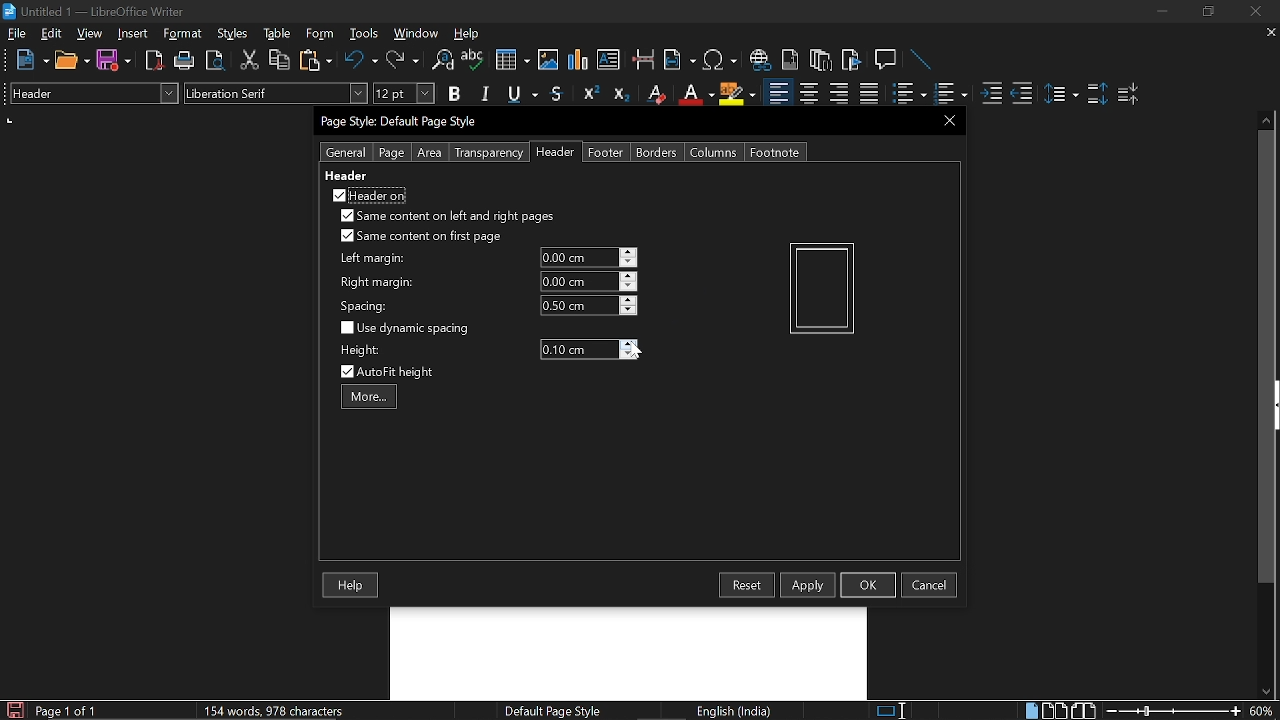  Describe the element at coordinates (695, 94) in the screenshot. I see `Underline` at that location.